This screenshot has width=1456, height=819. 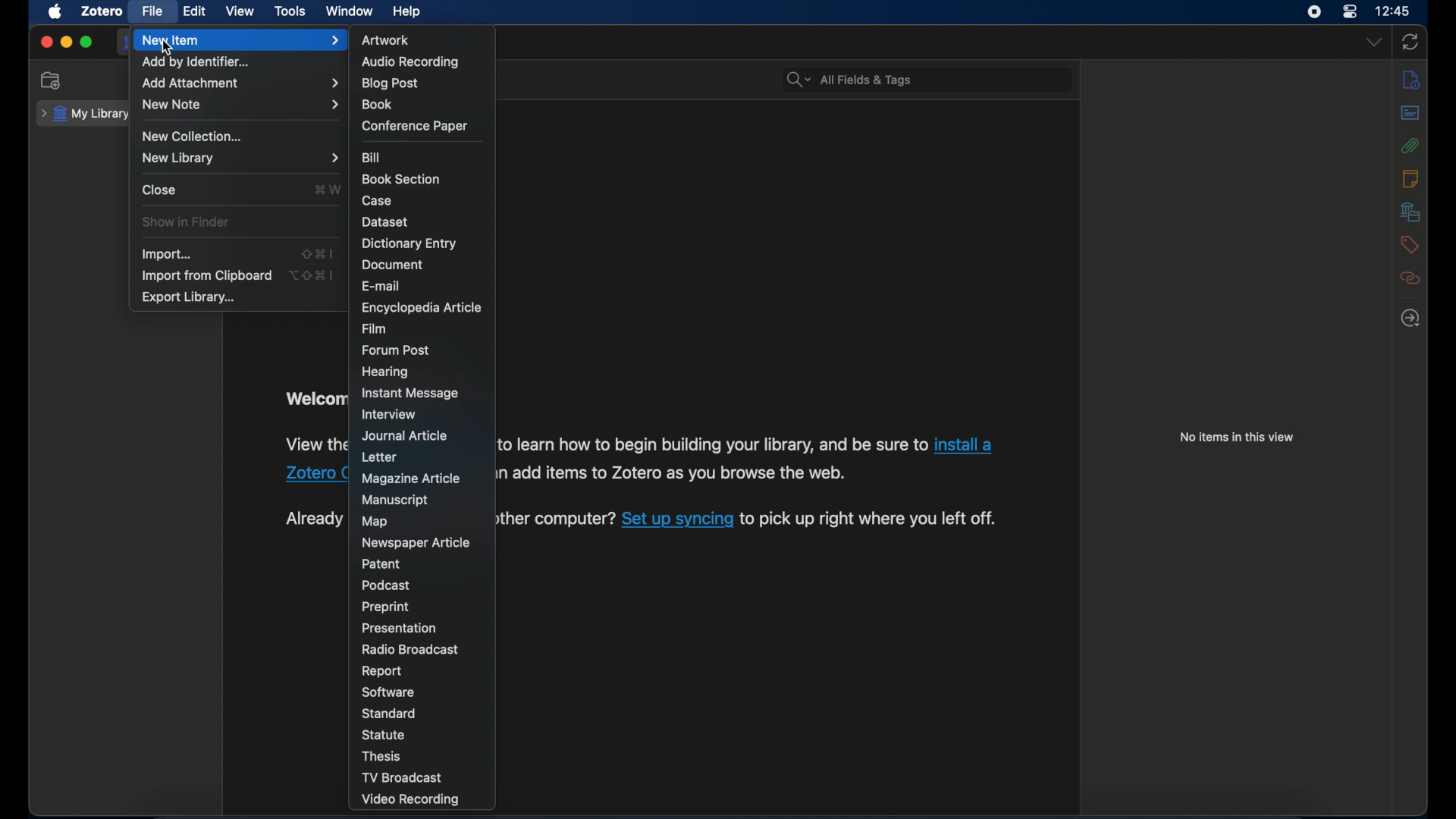 I want to click on artwork, so click(x=385, y=40).